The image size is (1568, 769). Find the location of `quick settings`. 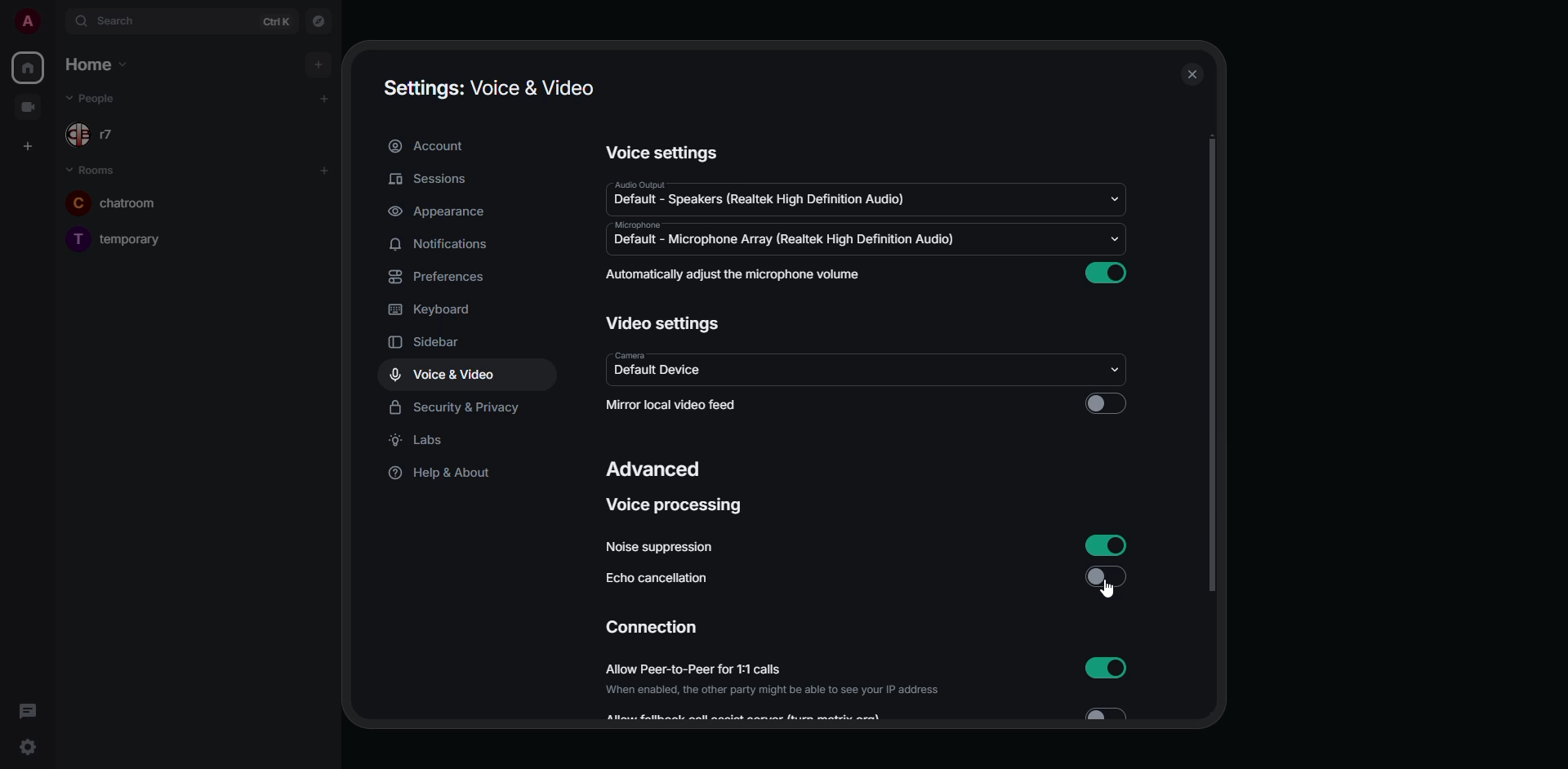

quick settings is located at coordinates (23, 746).